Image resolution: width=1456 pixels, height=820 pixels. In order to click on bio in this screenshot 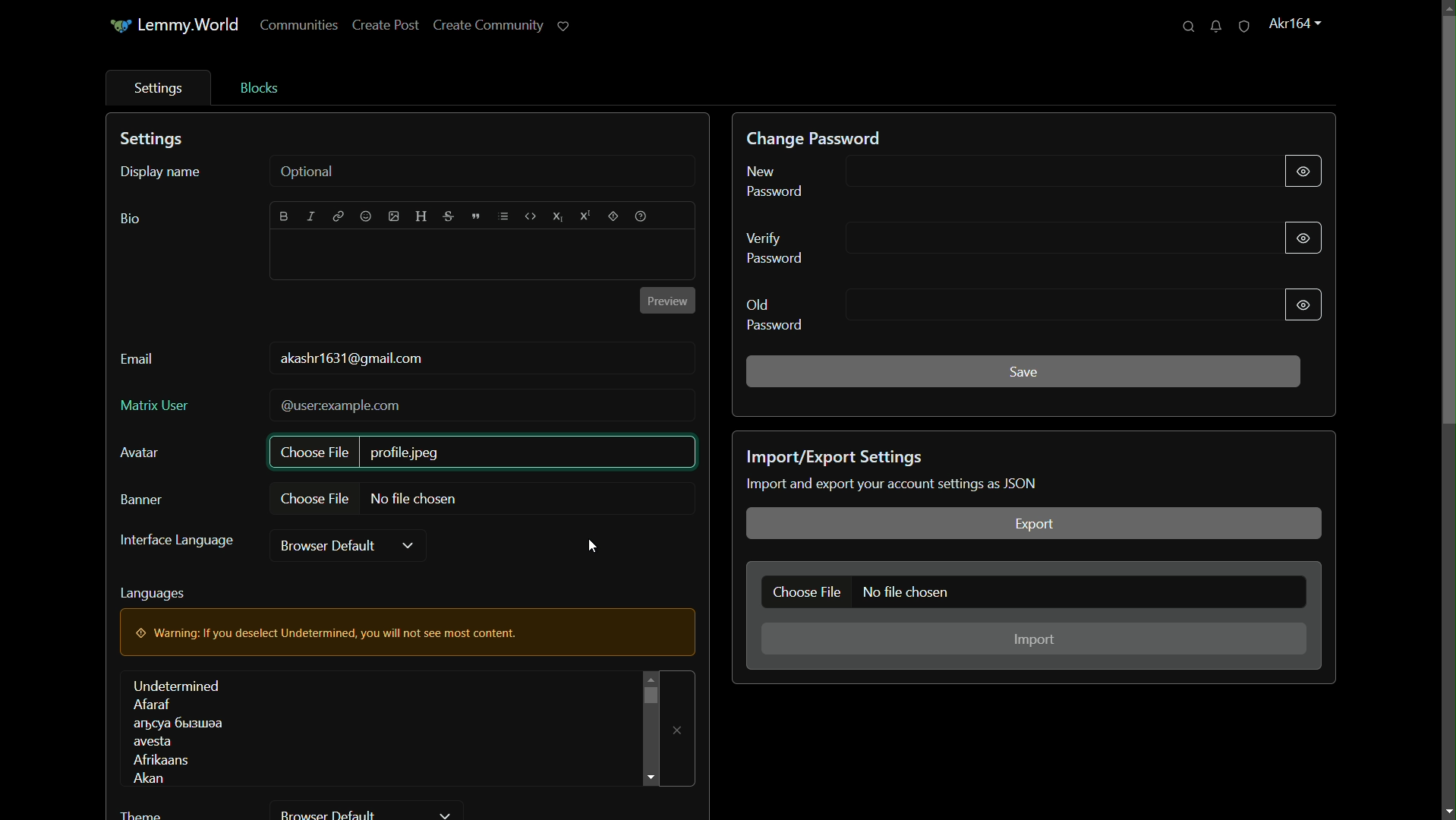, I will do `click(129, 219)`.